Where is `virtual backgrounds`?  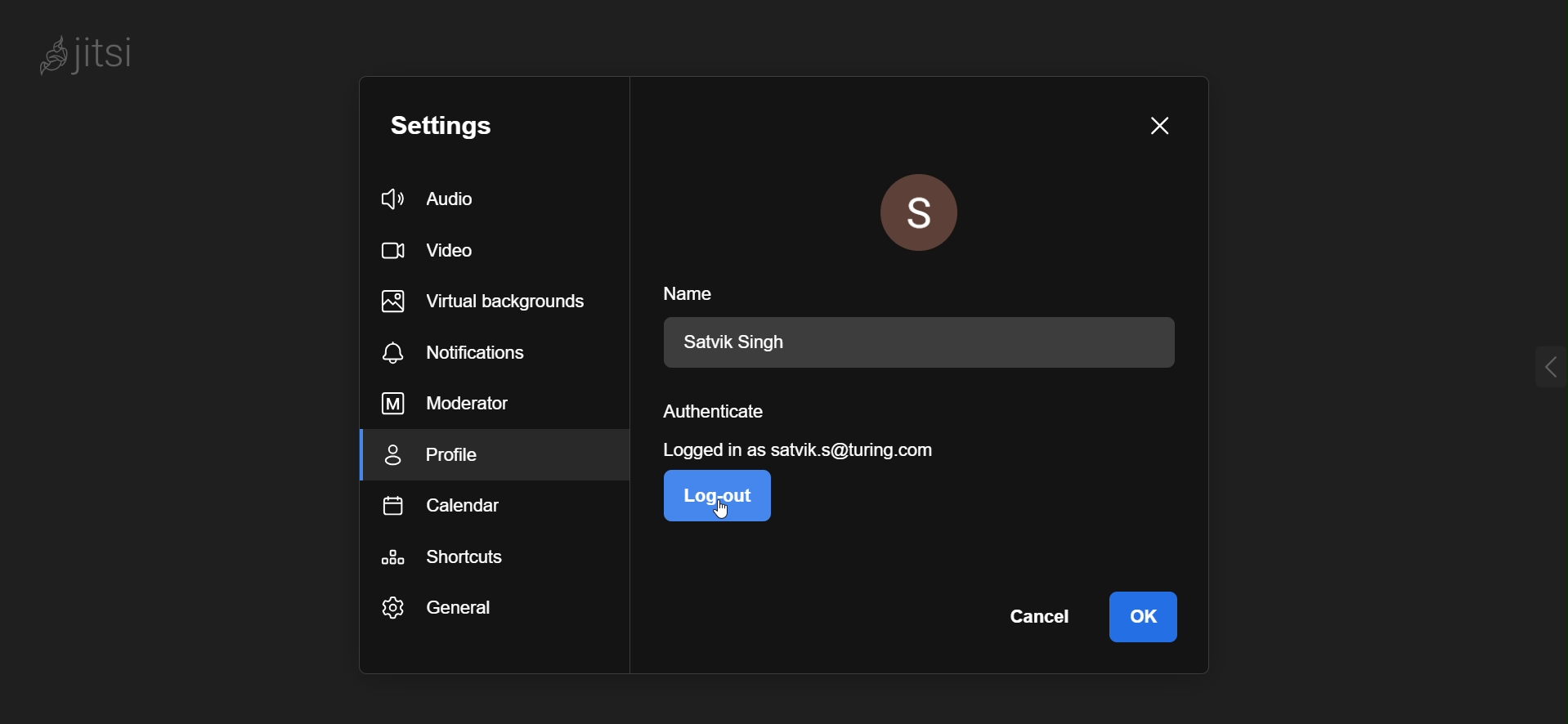 virtual backgrounds is located at coordinates (491, 305).